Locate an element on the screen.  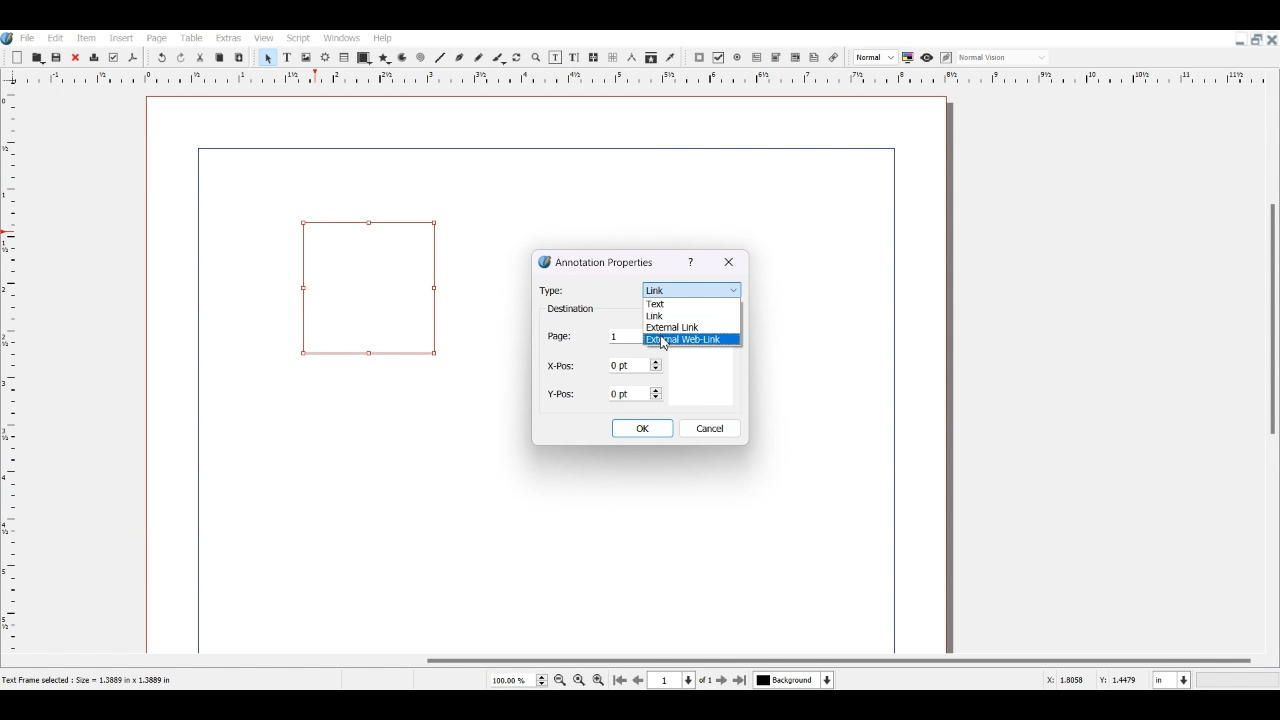
Type is located at coordinates (553, 290).